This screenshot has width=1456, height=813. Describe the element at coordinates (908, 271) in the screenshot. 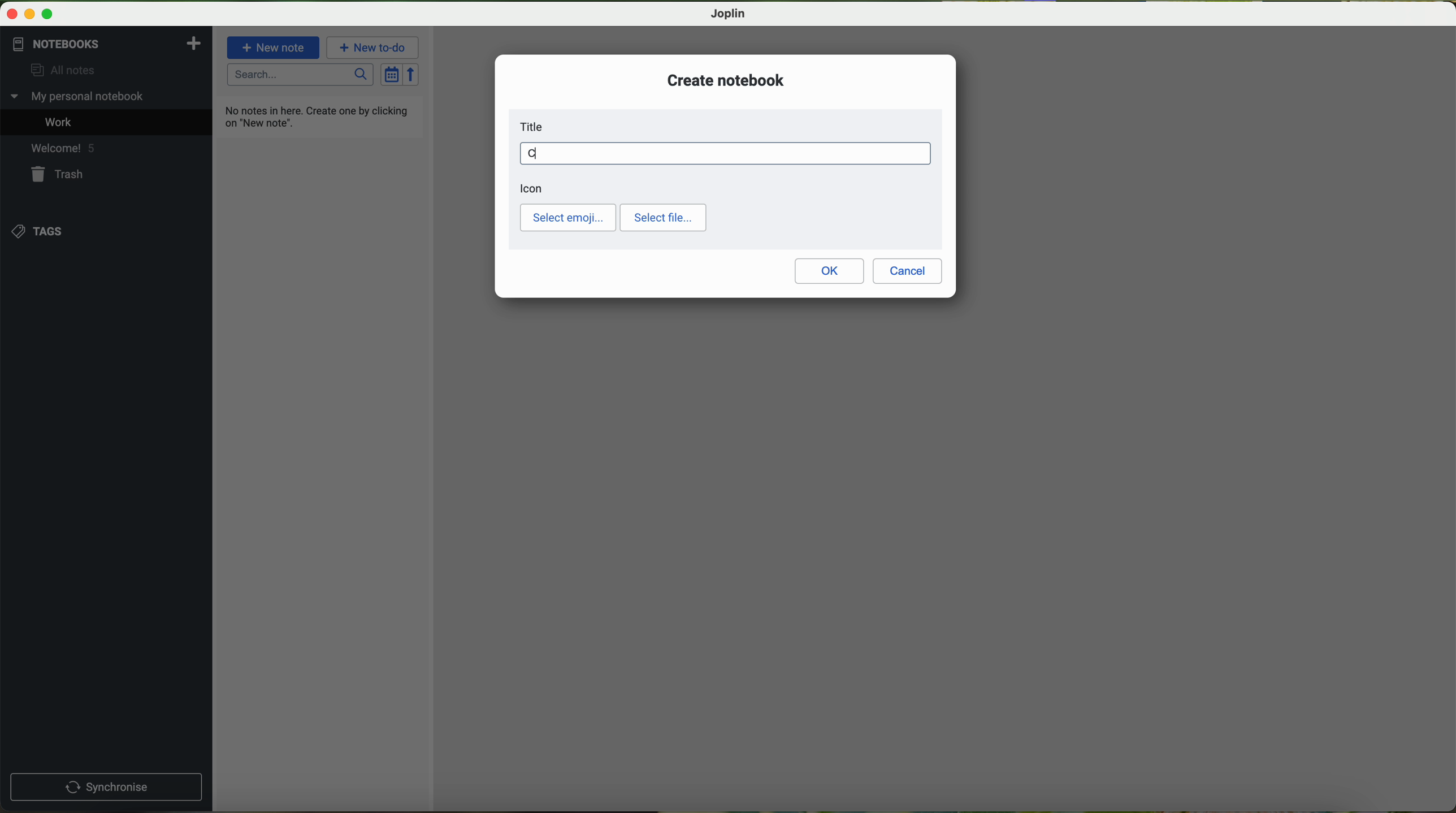

I see `Cancel` at that location.